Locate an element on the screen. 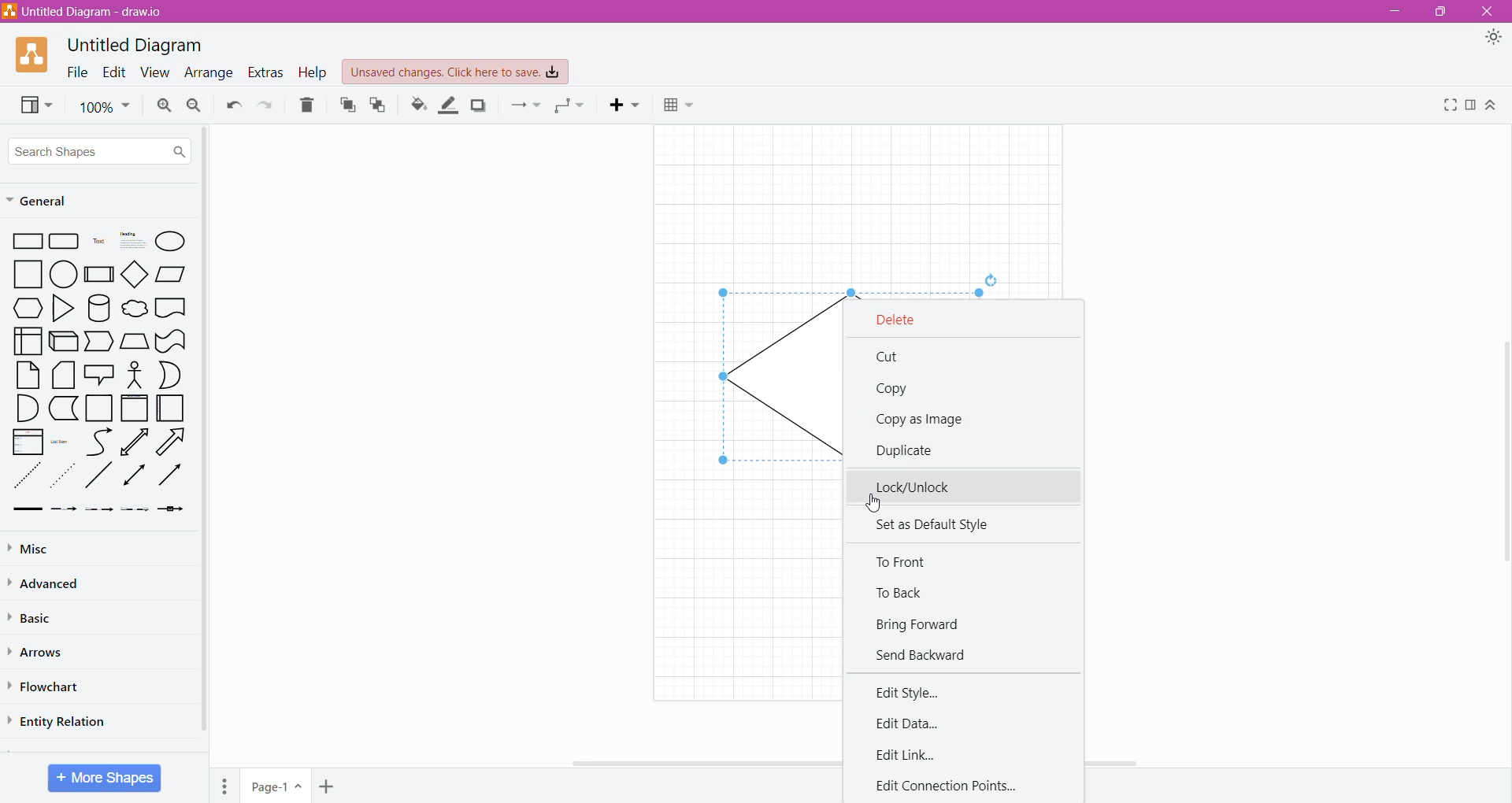 This screenshot has width=1512, height=803. Untitle Diagram is located at coordinates (138, 46).